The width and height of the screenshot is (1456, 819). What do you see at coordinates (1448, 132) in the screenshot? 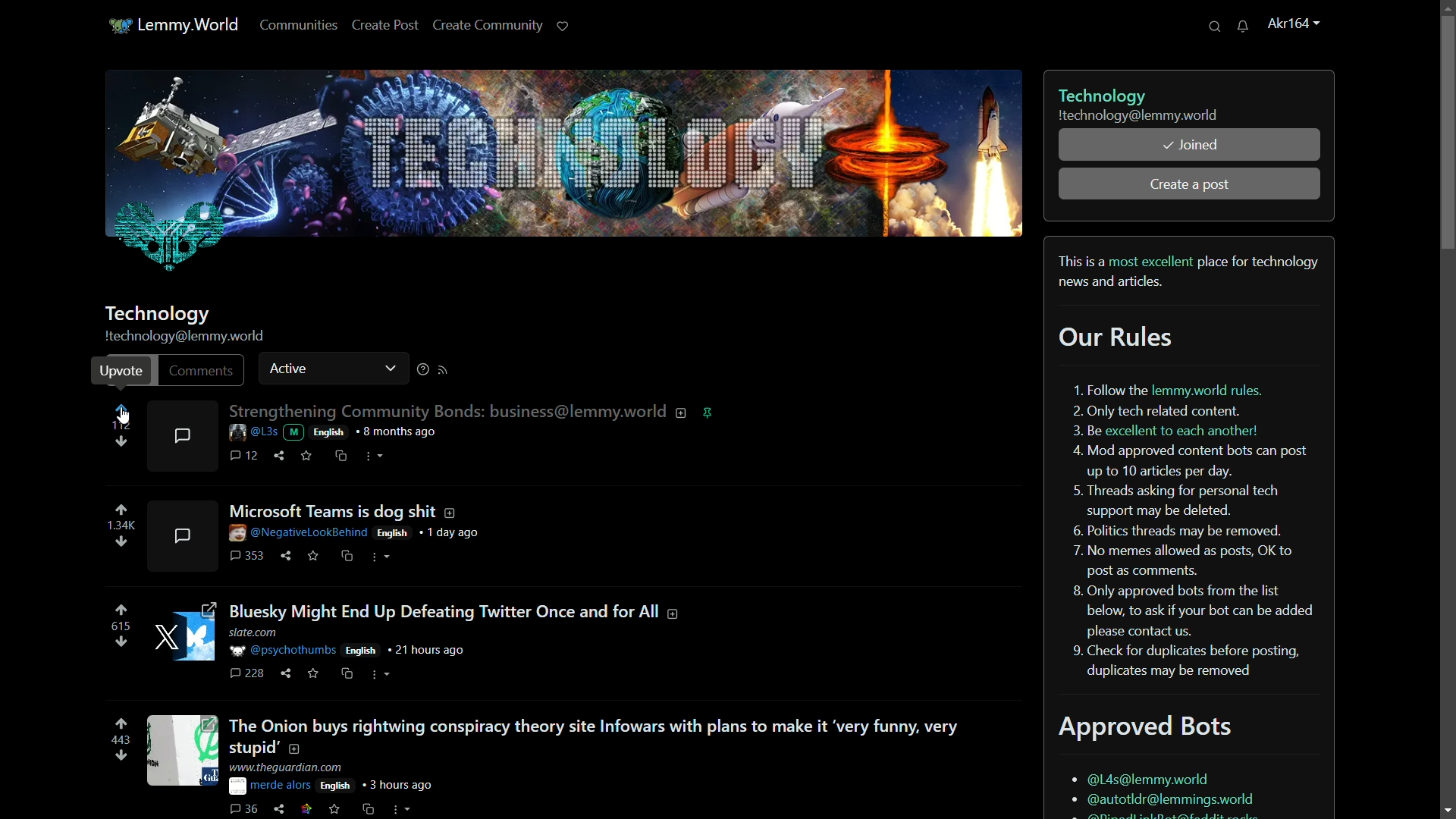
I see `scroll bar` at bounding box center [1448, 132].